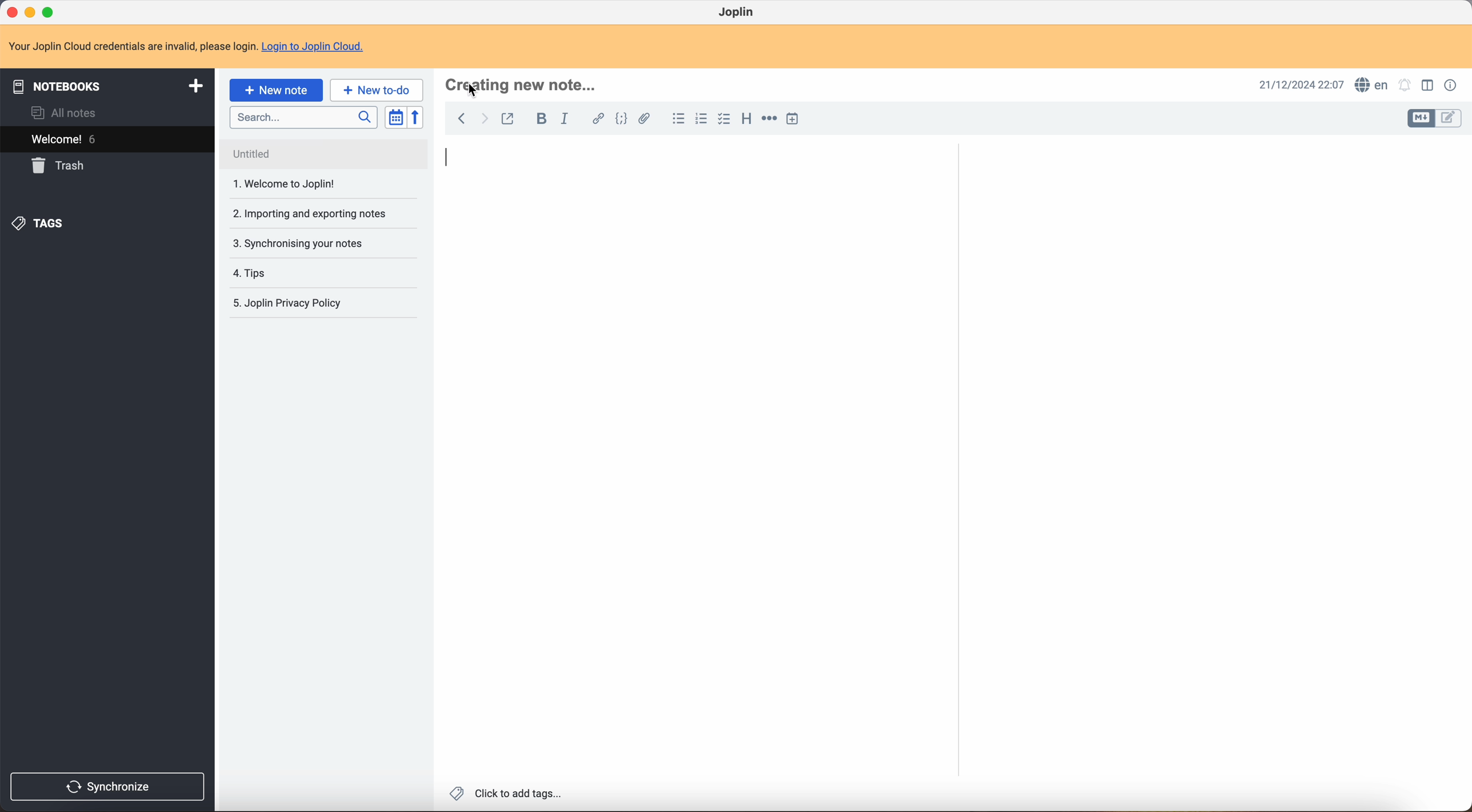 Image resolution: width=1472 pixels, height=812 pixels. What do you see at coordinates (1297, 83) in the screenshot?
I see `date and hour` at bounding box center [1297, 83].